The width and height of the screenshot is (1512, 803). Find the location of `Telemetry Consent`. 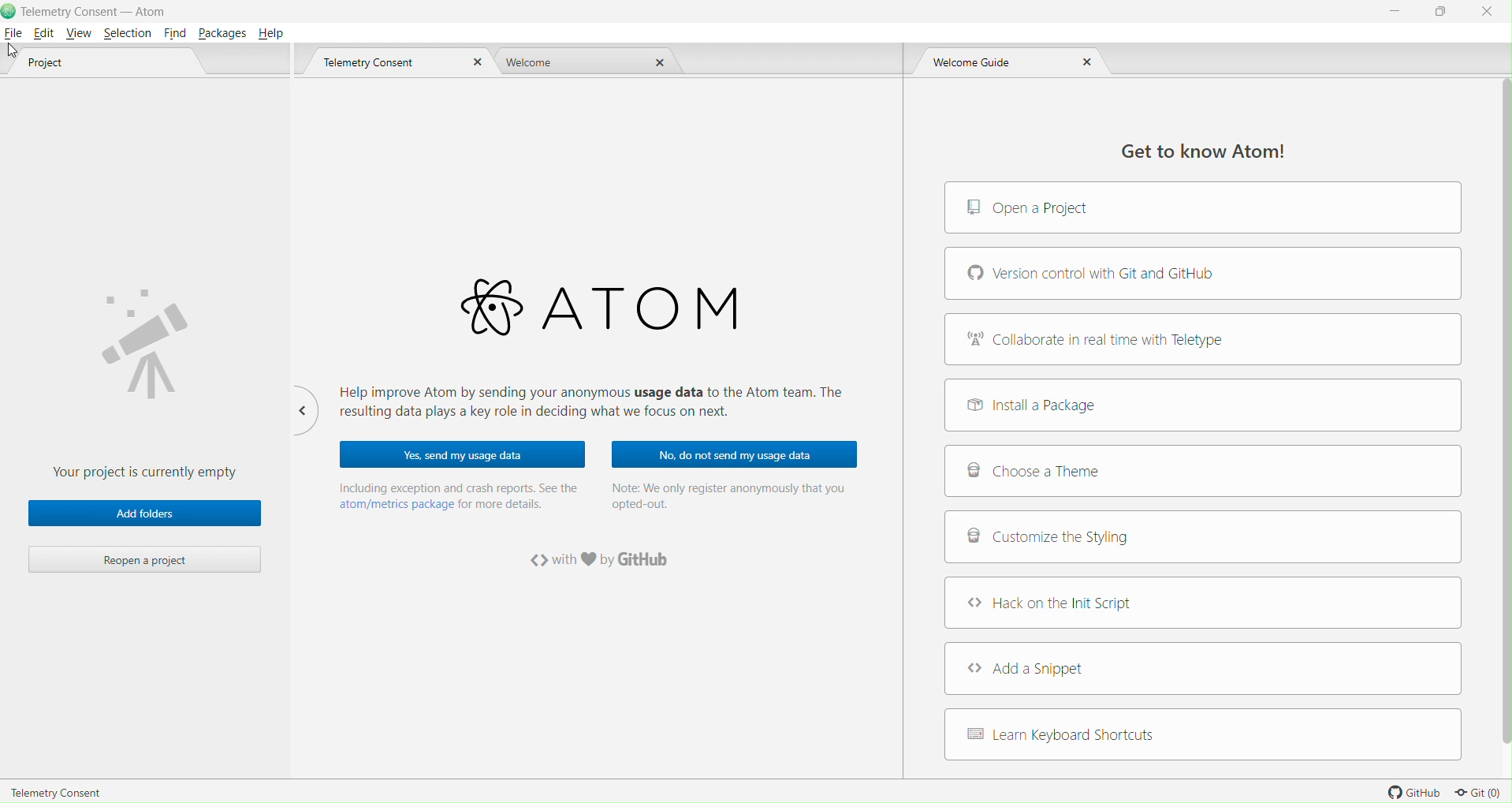

Telemetry Consent is located at coordinates (57, 790).